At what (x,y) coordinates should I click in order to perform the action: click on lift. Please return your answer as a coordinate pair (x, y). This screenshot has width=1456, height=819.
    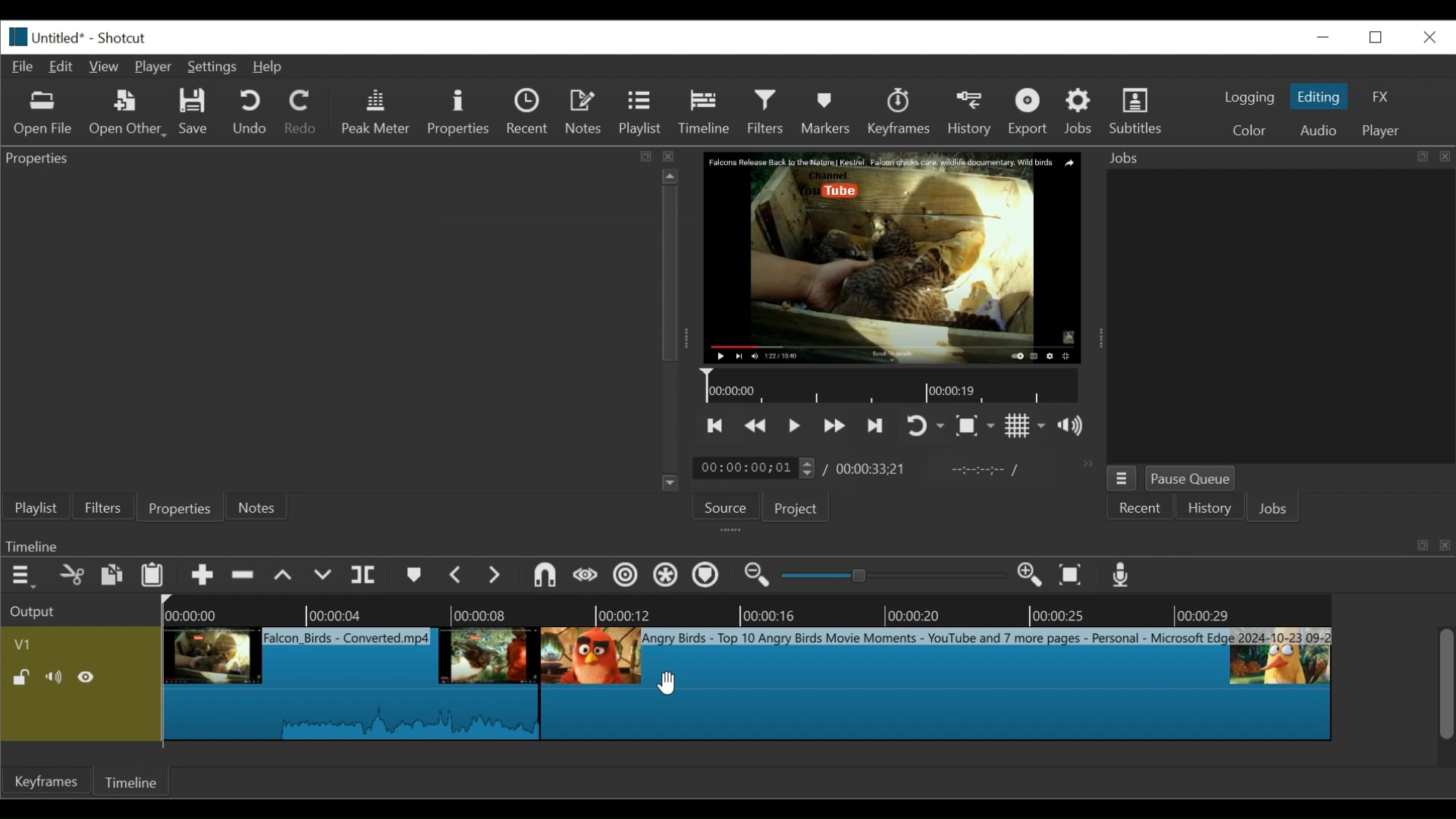
    Looking at the image, I should click on (284, 576).